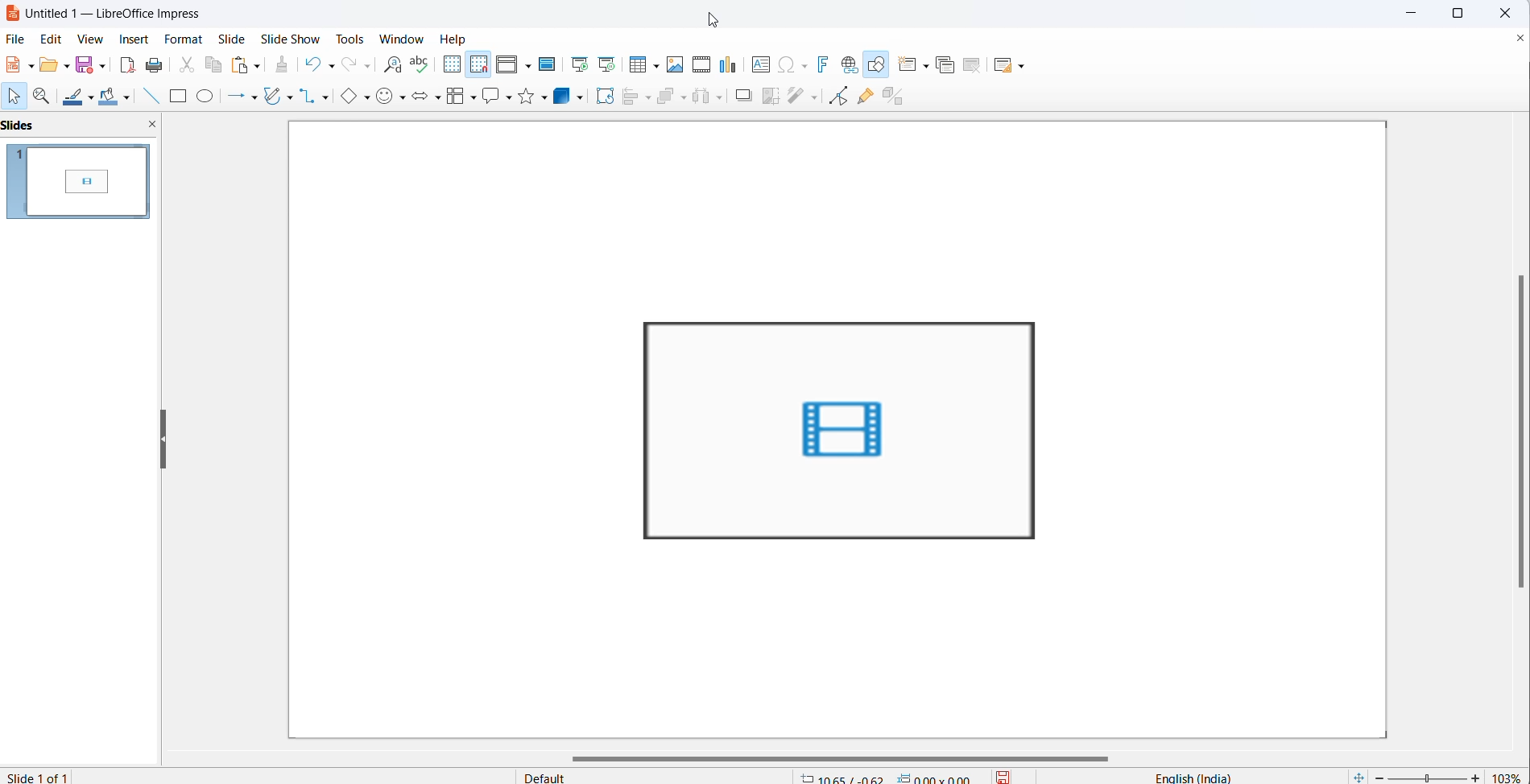 The width and height of the screenshot is (1530, 784). What do you see at coordinates (639, 544) in the screenshot?
I see `selection markup` at bounding box center [639, 544].